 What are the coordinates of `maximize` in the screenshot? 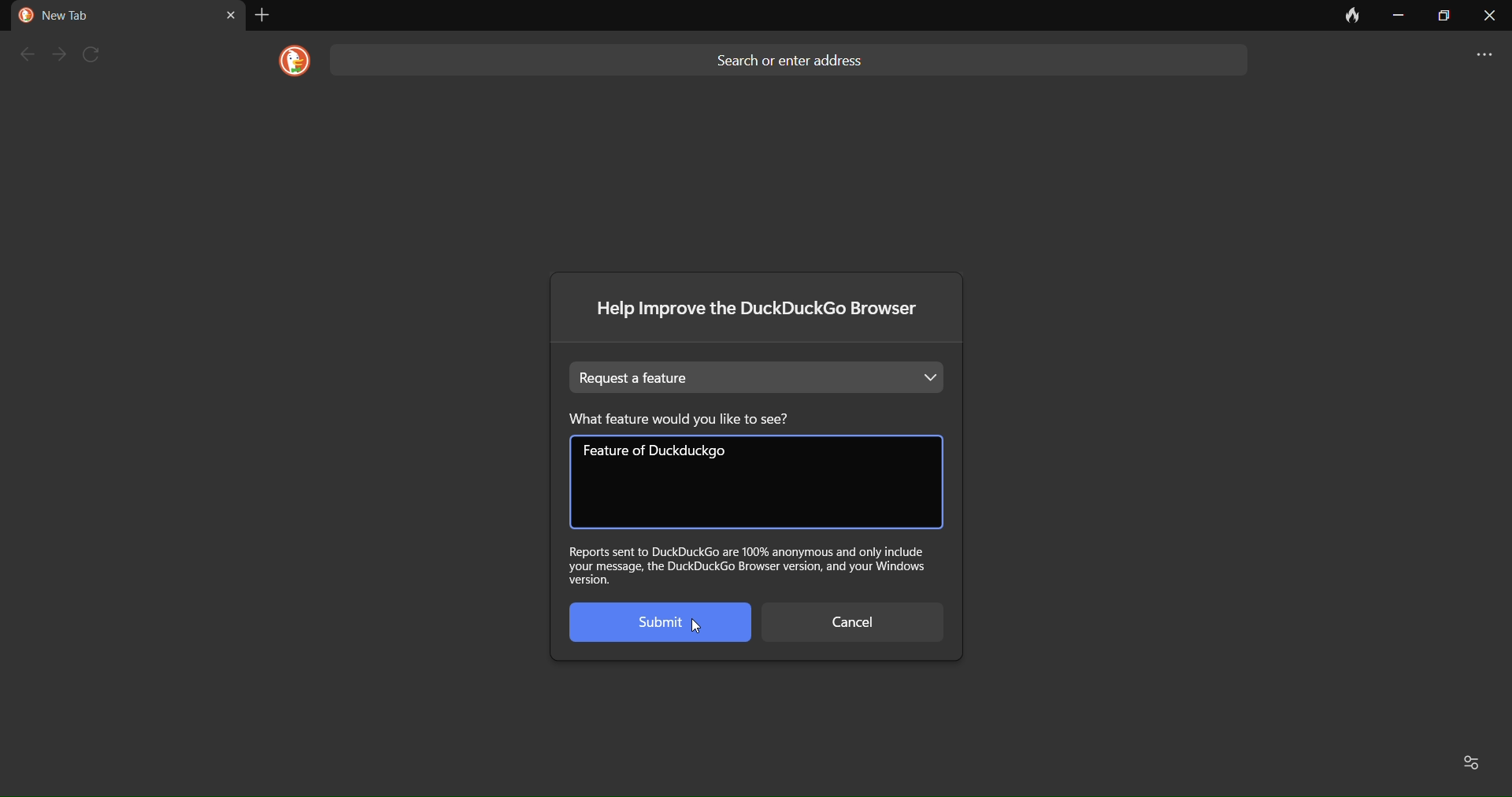 It's located at (1441, 16).